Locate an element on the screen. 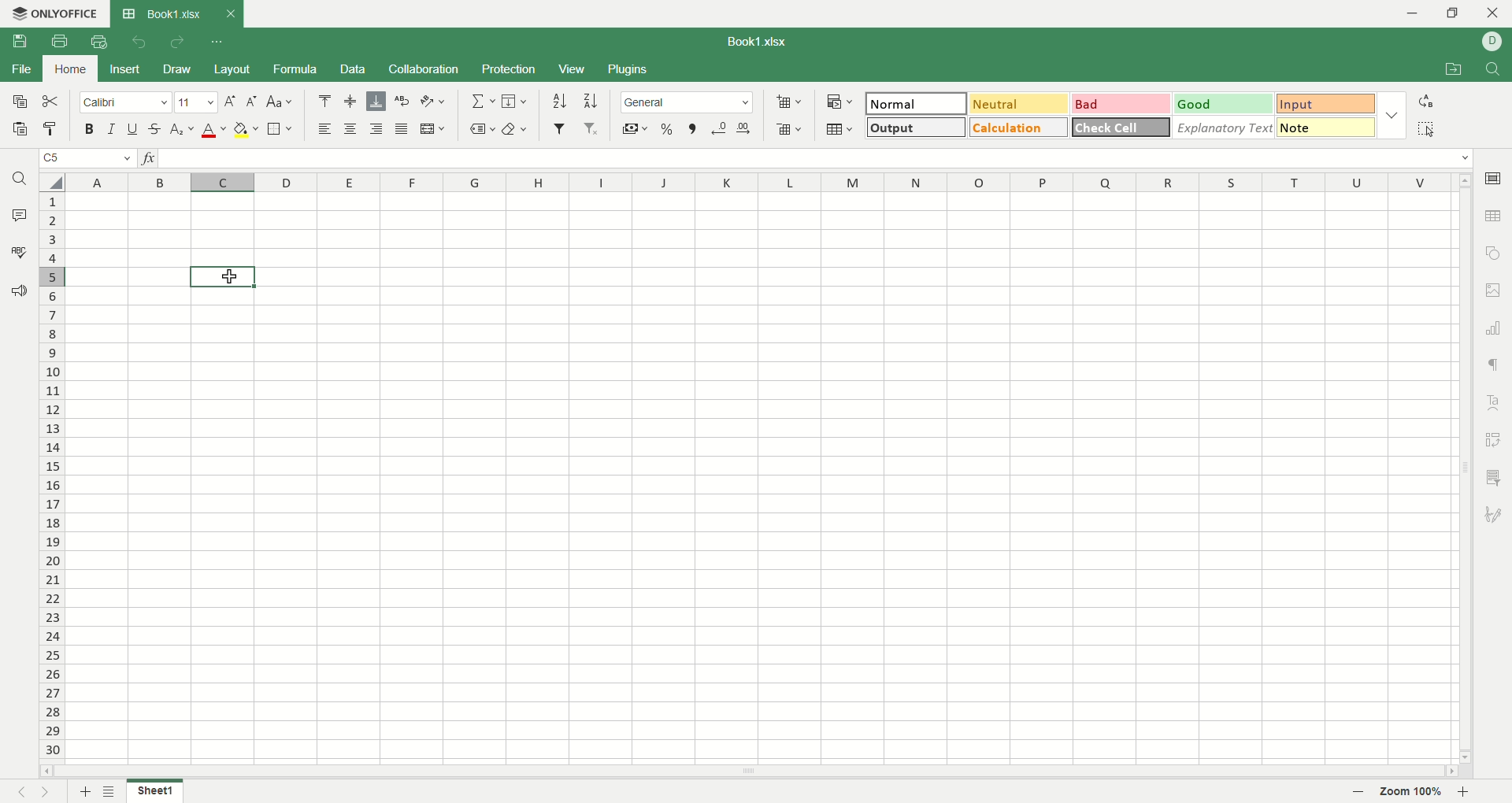 The width and height of the screenshot is (1512, 803). slice settings is located at coordinates (1496, 476).